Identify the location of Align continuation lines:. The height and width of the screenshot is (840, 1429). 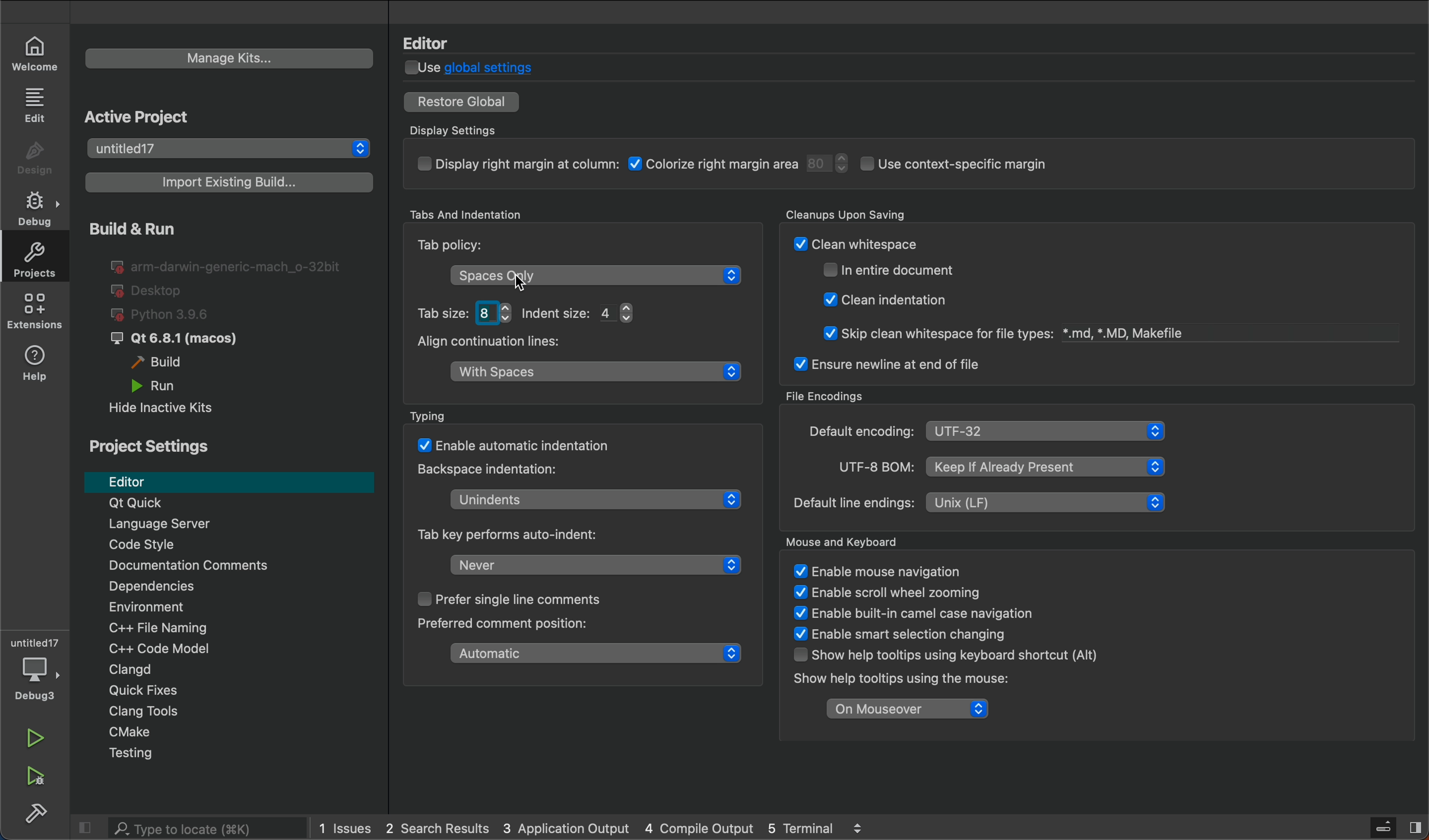
(509, 344).